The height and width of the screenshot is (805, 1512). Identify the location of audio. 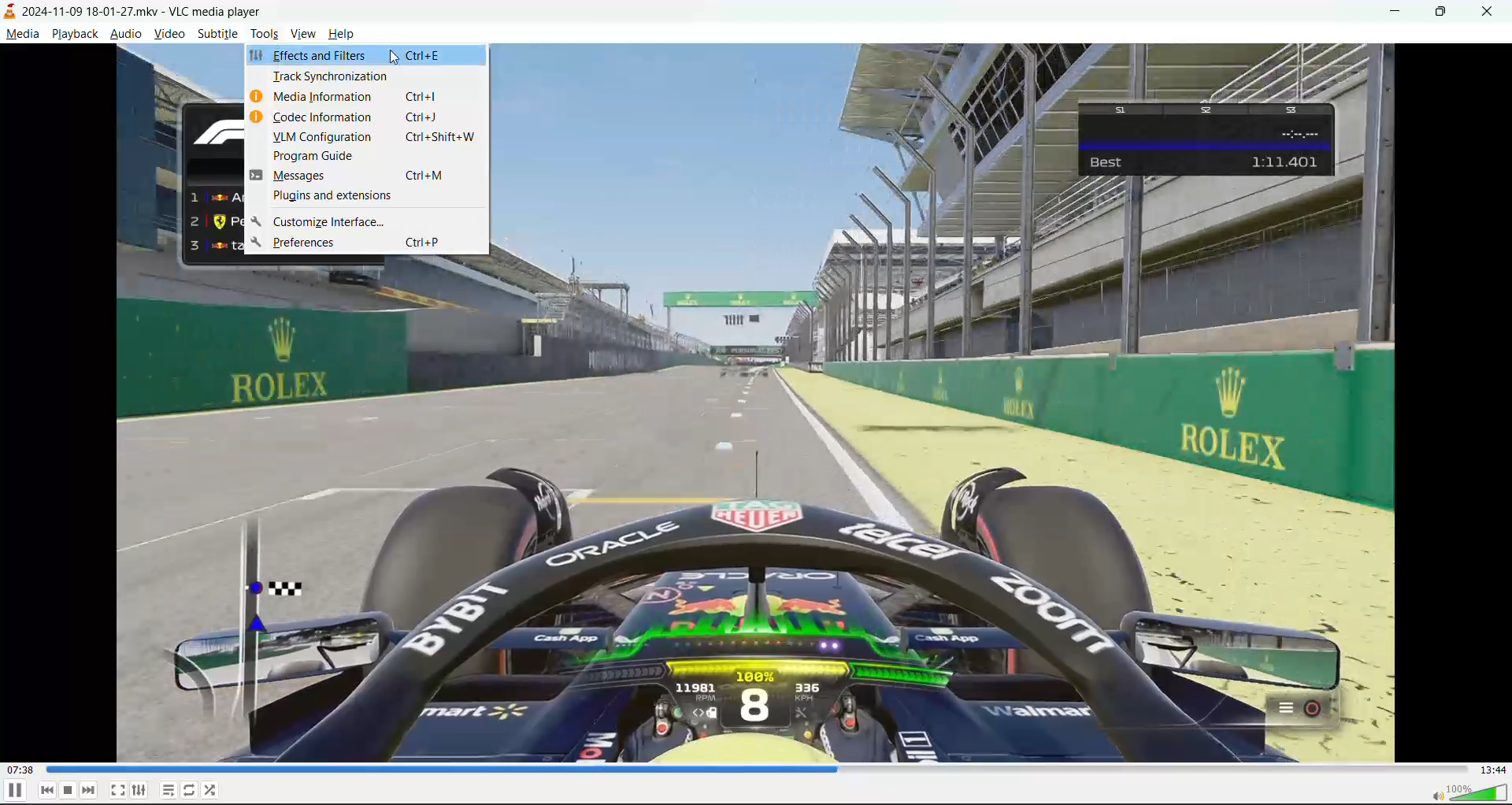
(127, 33).